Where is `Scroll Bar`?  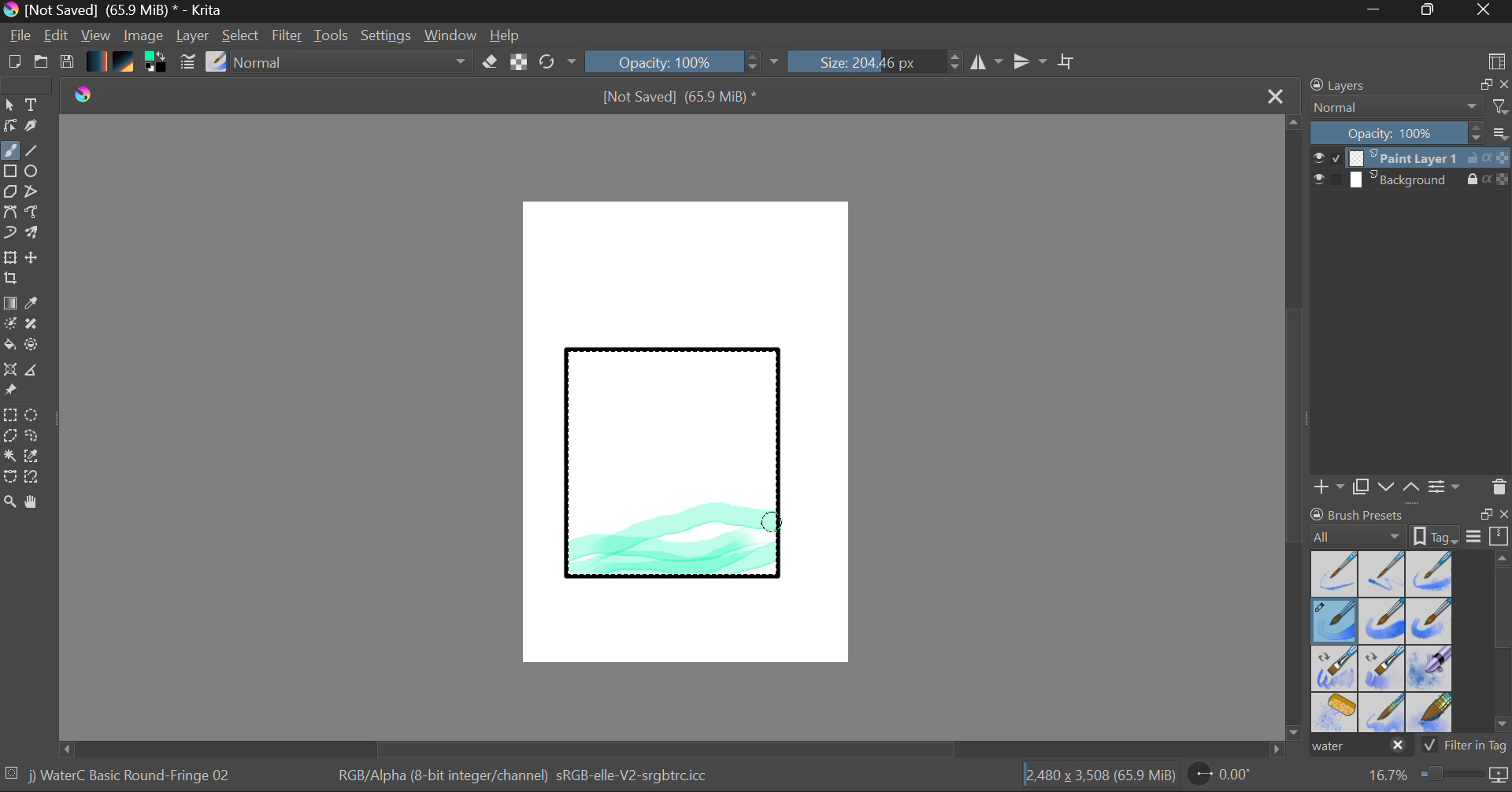 Scroll Bar is located at coordinates (1503, 645).